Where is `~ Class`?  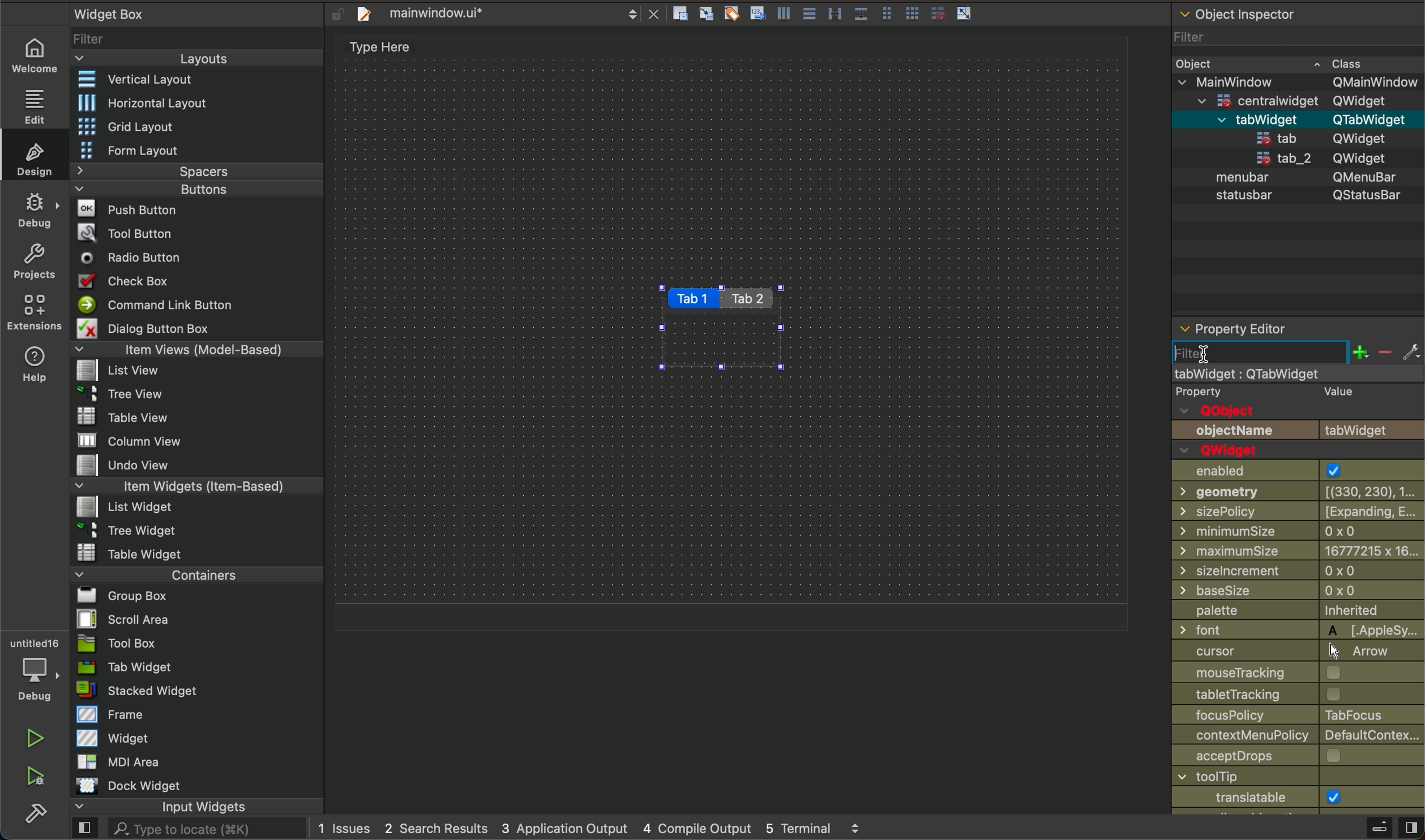
~ Class is located at coordinates (1342, 60).